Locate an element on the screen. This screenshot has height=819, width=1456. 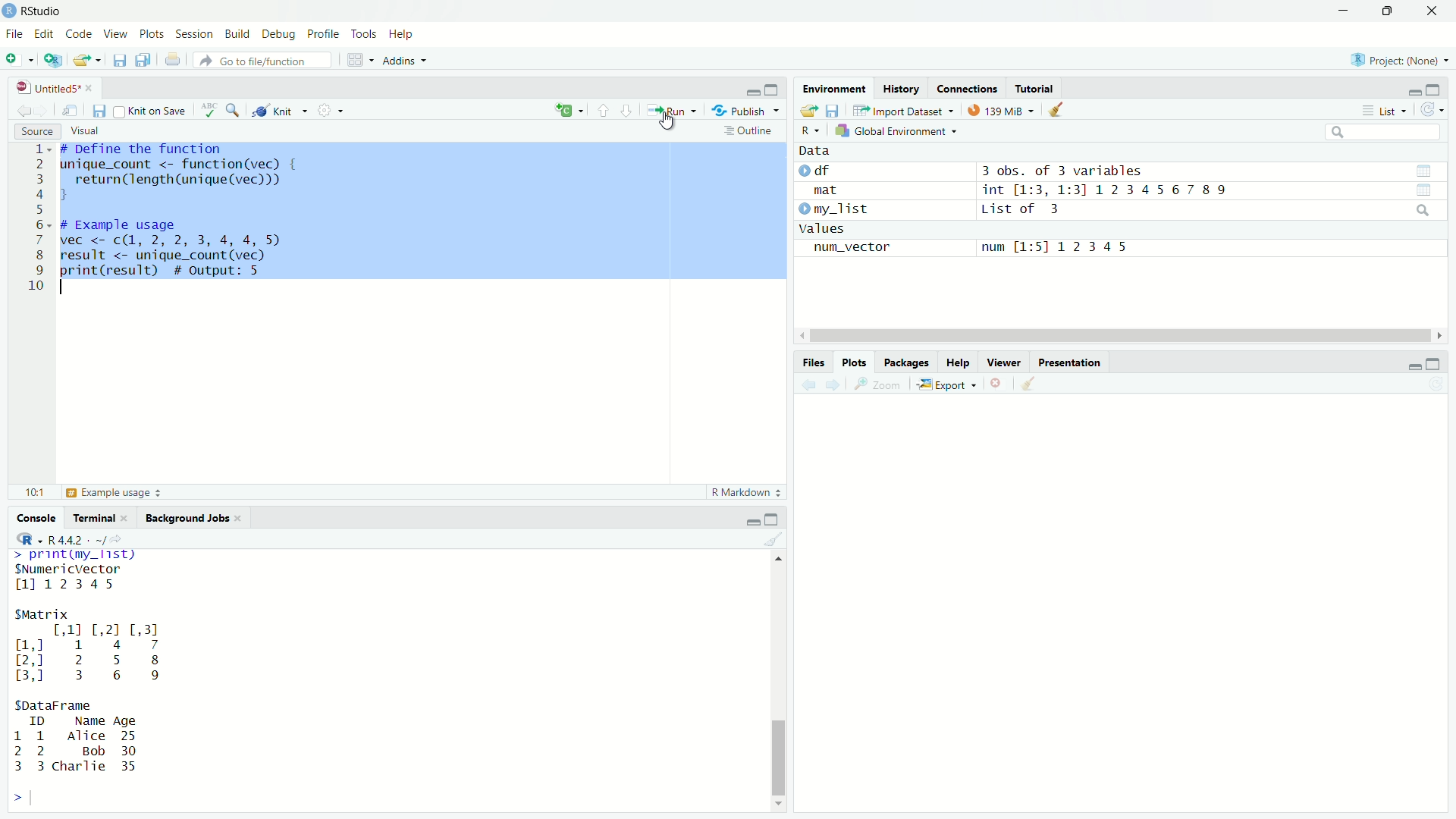
Addins is located at coordinates (403, 61).